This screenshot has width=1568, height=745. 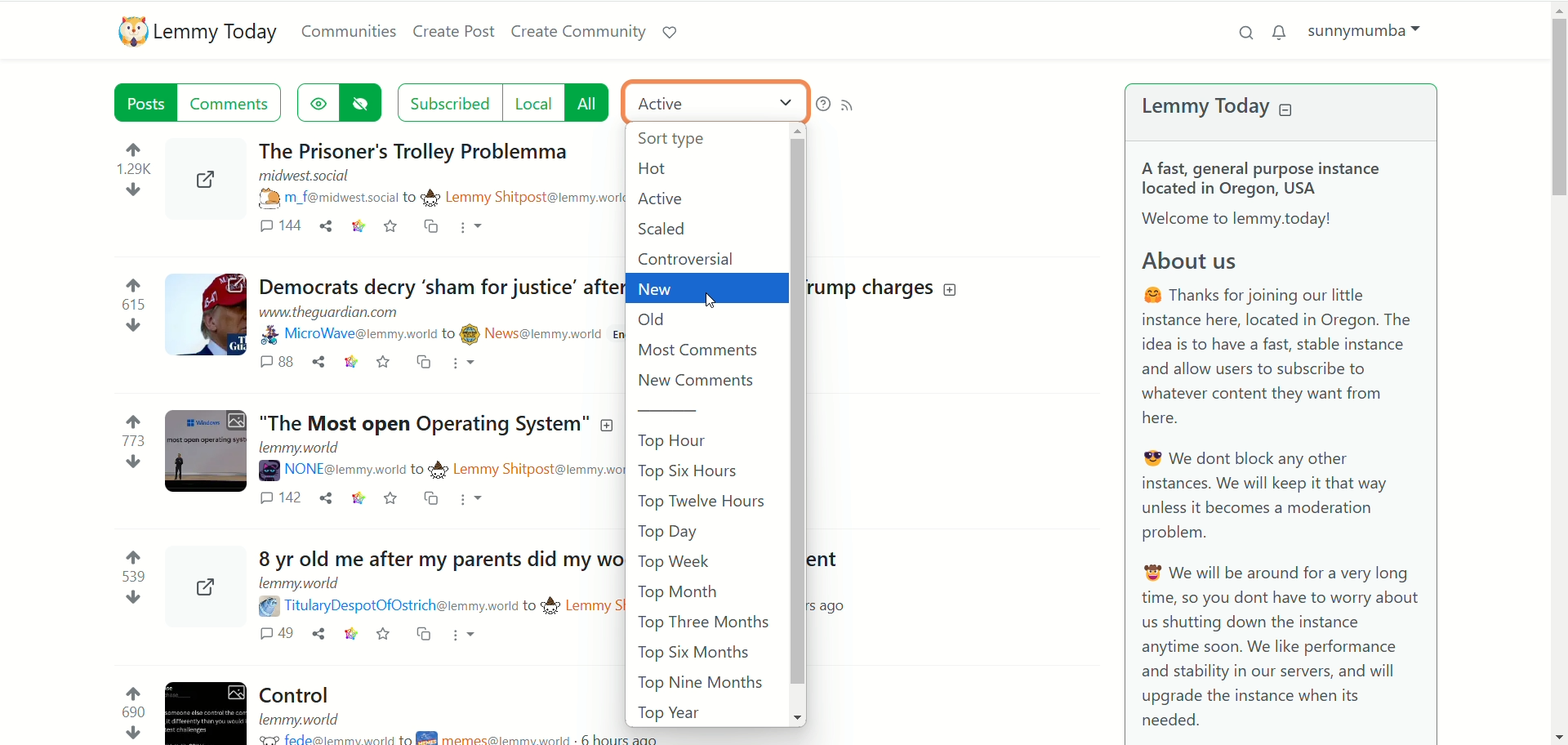 What do you see at coordinates (421, 364) in the screenshot?
I see `cross-post` at bounding box center [421, 364].